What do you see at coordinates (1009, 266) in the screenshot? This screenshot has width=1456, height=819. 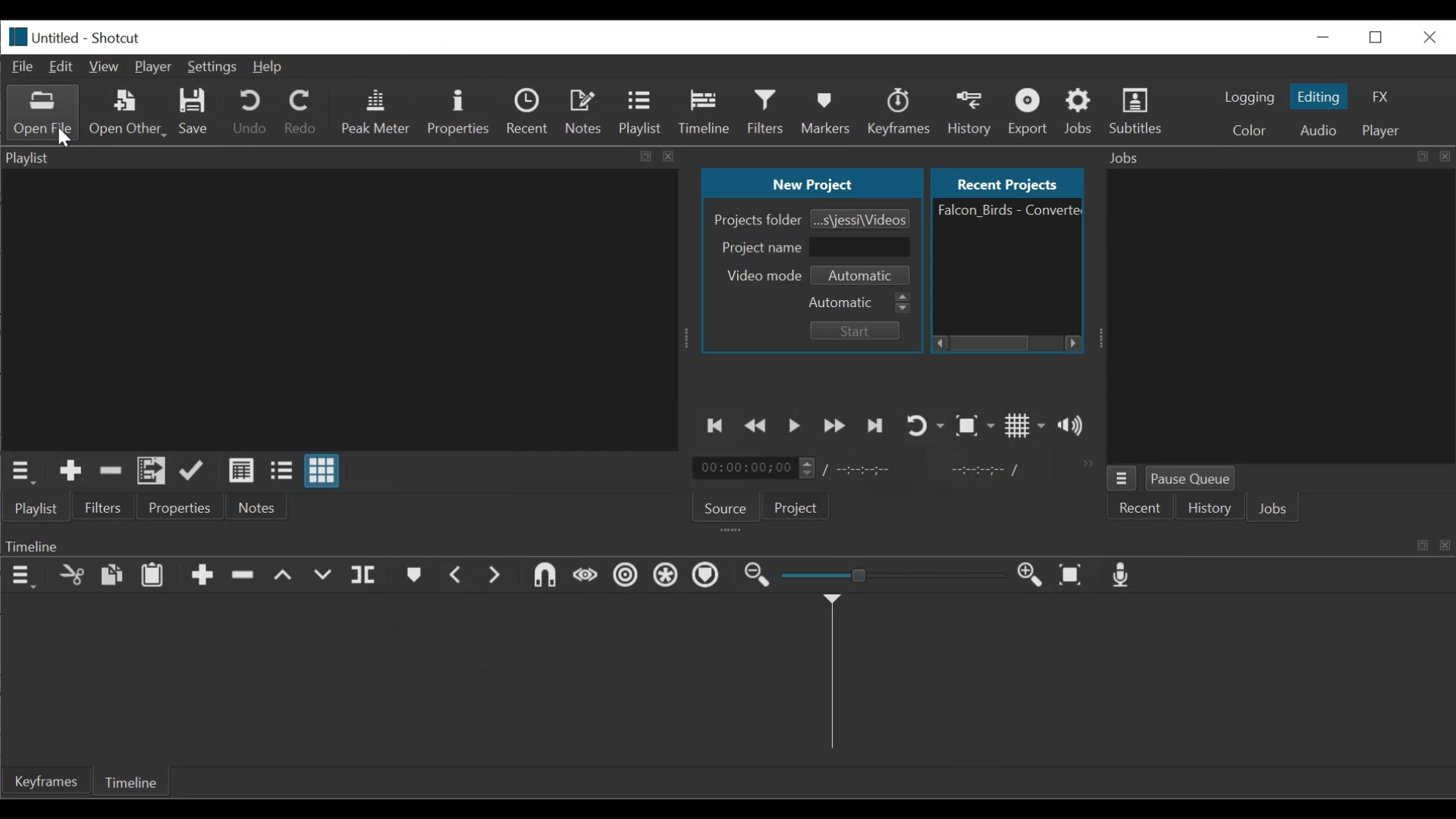 I see `File Name` at bounding box center [1009, 266].